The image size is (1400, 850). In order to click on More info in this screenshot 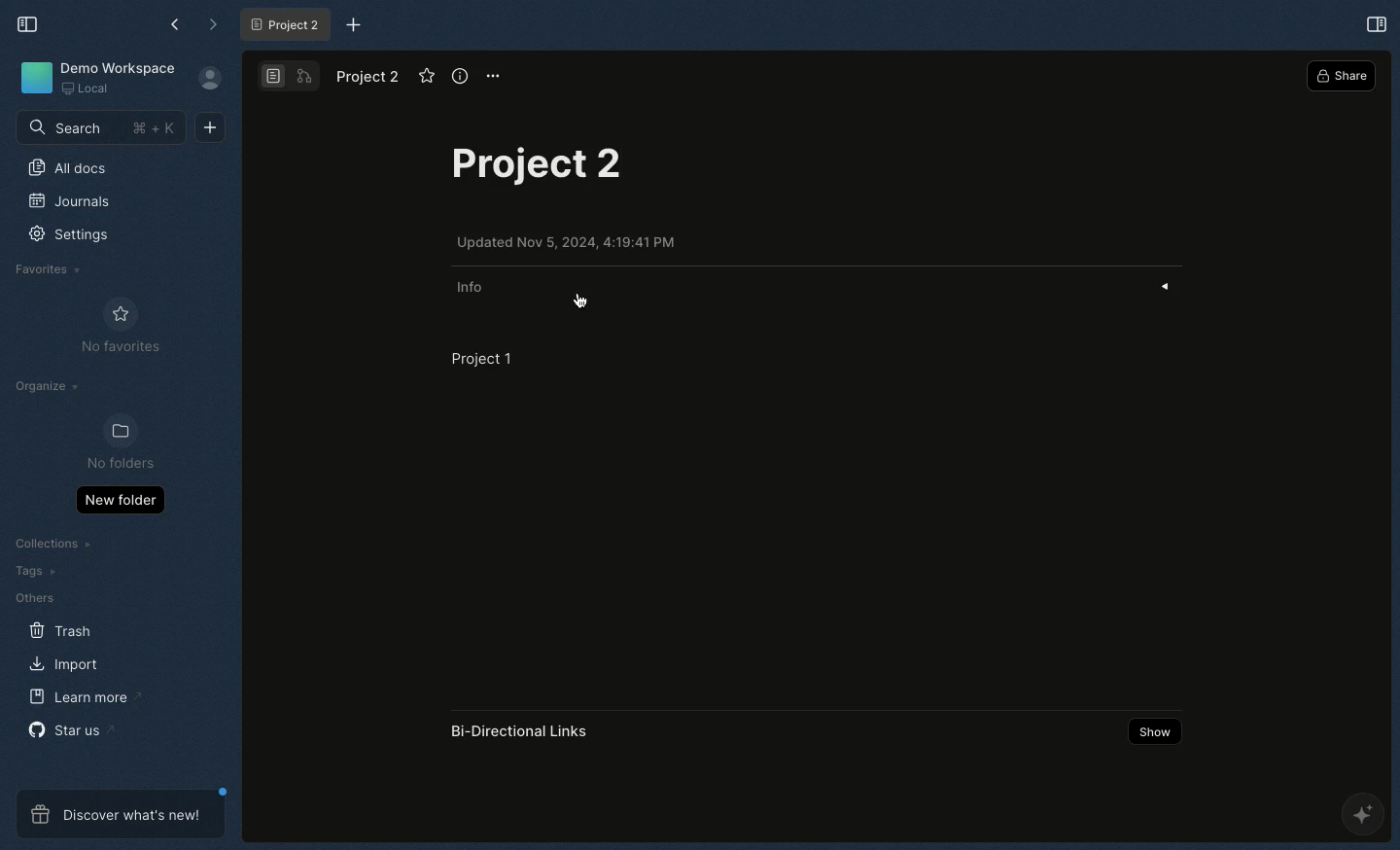, I will do `click(460, 77)`.